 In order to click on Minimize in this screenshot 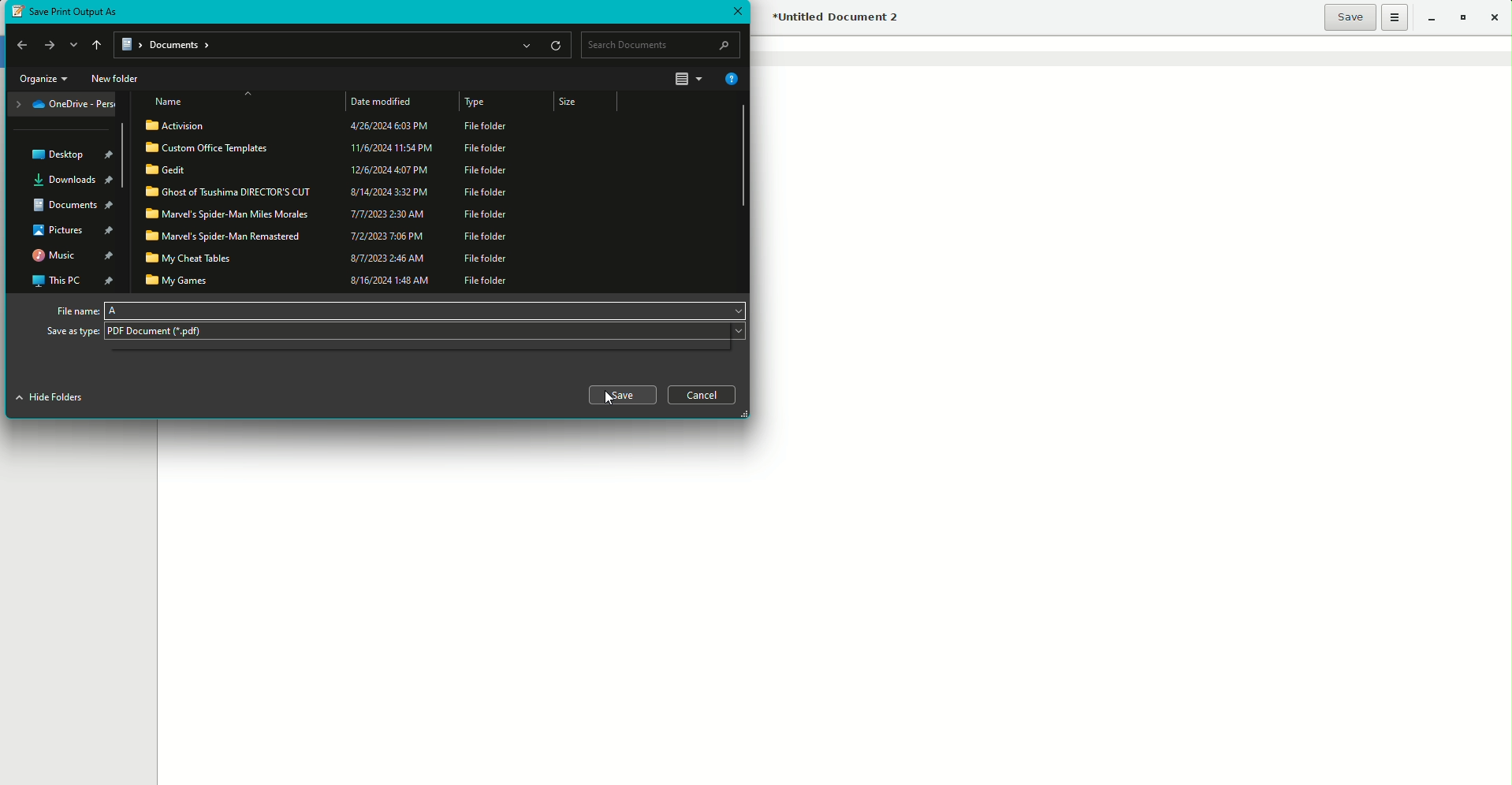, I will do `click(1428, 17)`.